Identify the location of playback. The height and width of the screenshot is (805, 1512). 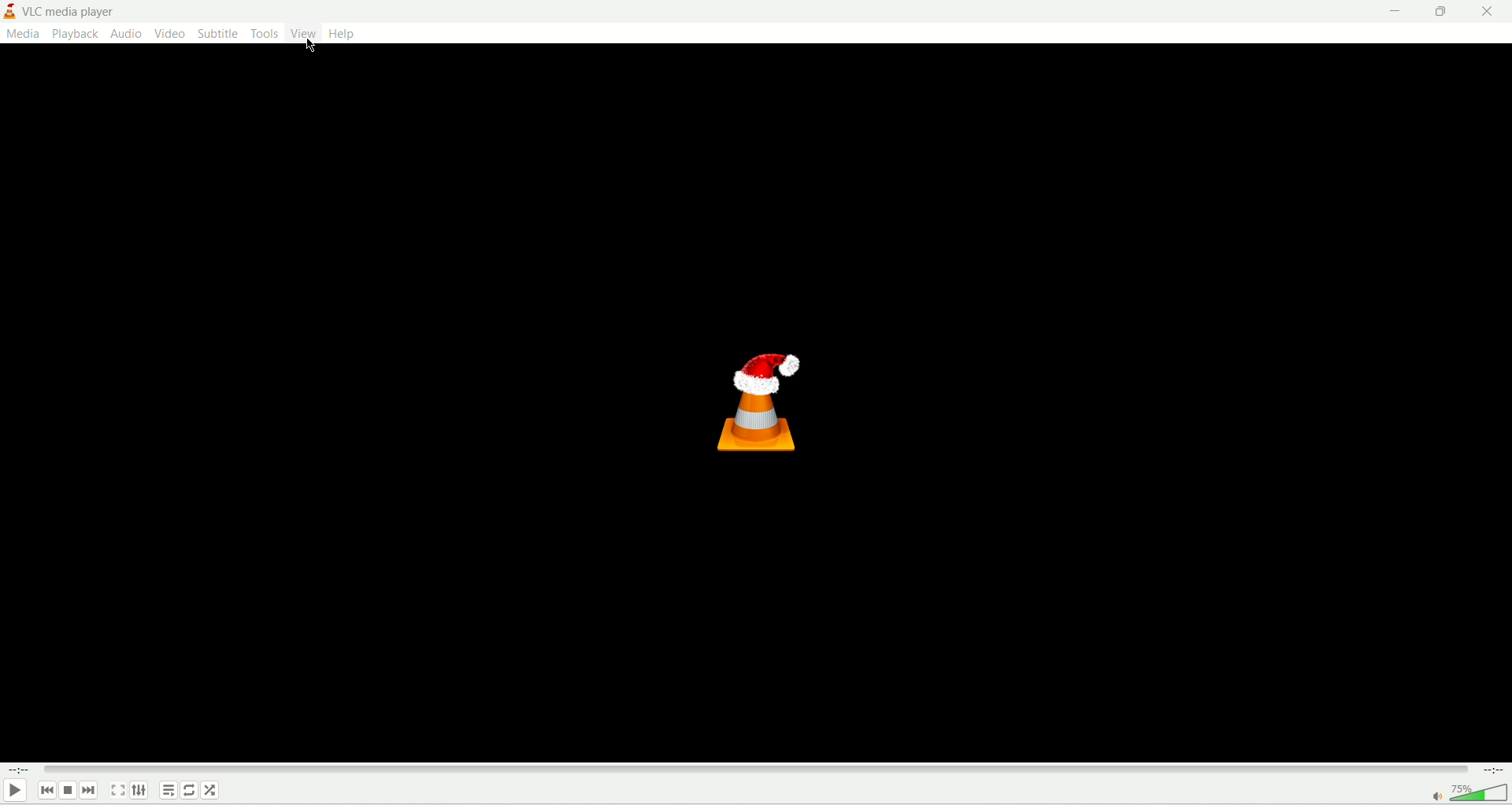
(73, 33).